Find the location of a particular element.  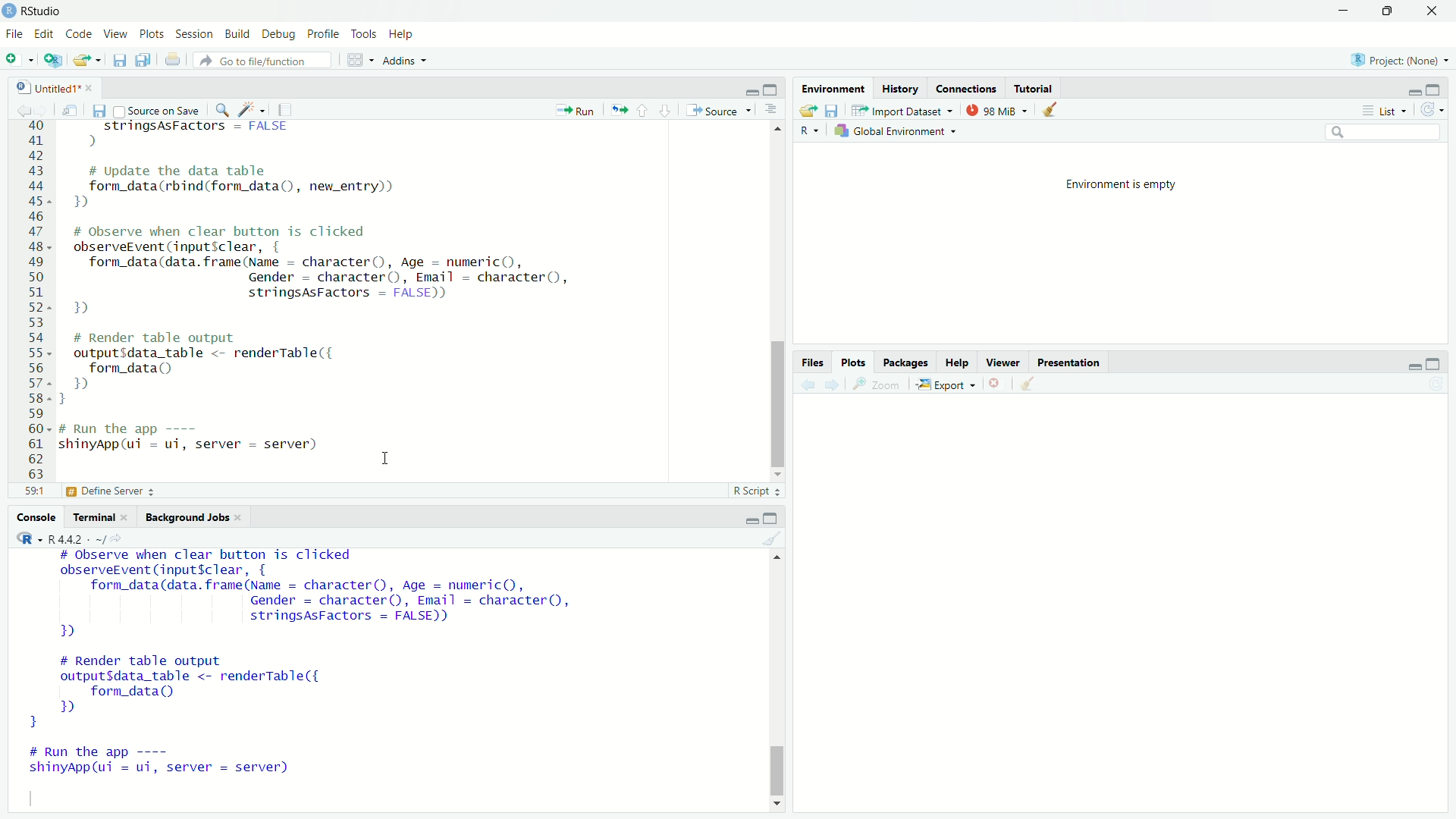

environment is empty is located at coordinates (1110, 183).